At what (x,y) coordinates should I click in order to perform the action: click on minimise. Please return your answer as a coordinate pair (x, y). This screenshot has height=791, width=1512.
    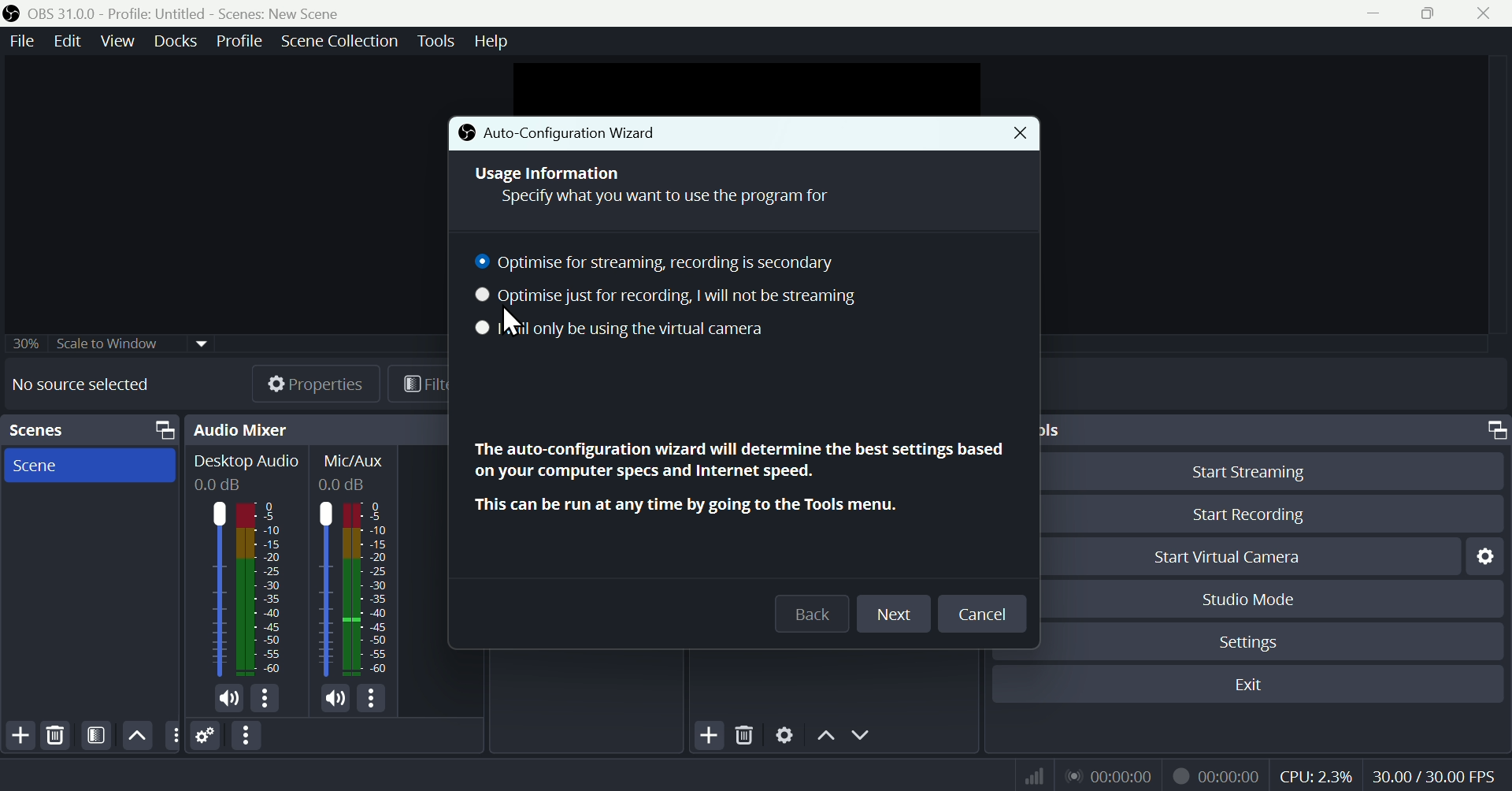
    Looking at the image, I should click on (1369, 13).